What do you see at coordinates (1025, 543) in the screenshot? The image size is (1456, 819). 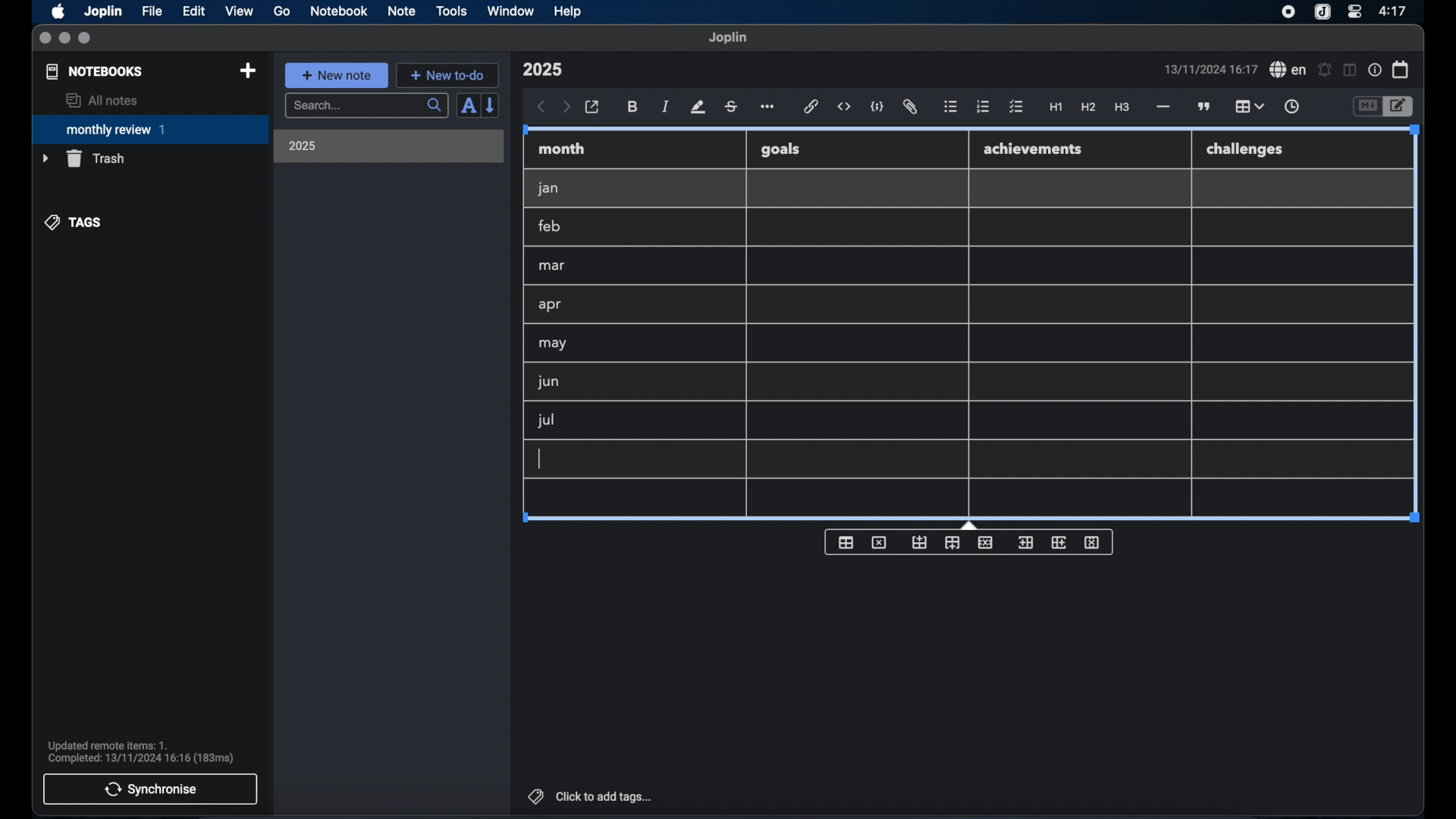 I see `insert column before` at bounding box center [1025, 543].